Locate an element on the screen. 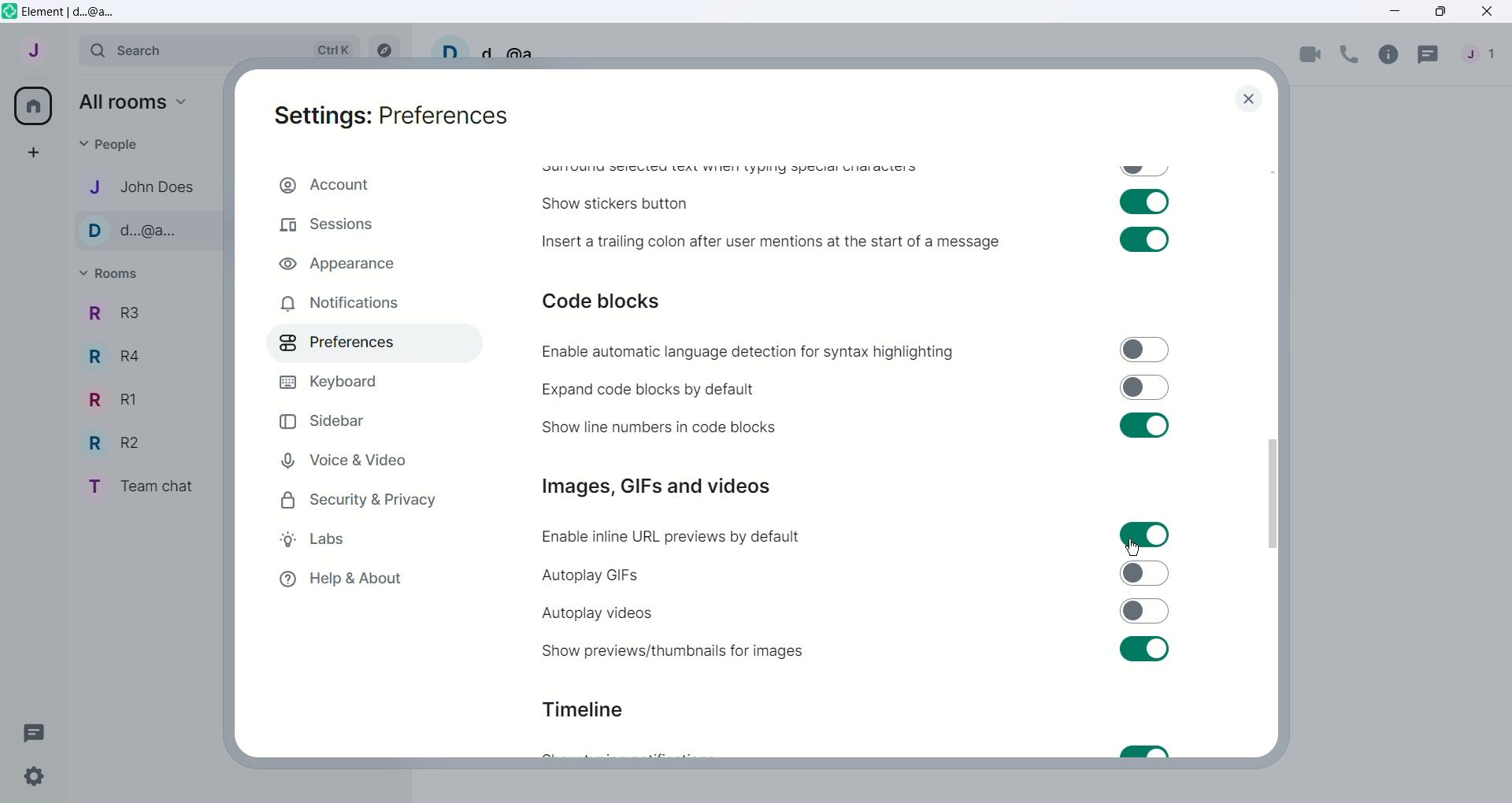 This screenshot has height=803, width=1512. Preferences is located at coordinates (366, 344).